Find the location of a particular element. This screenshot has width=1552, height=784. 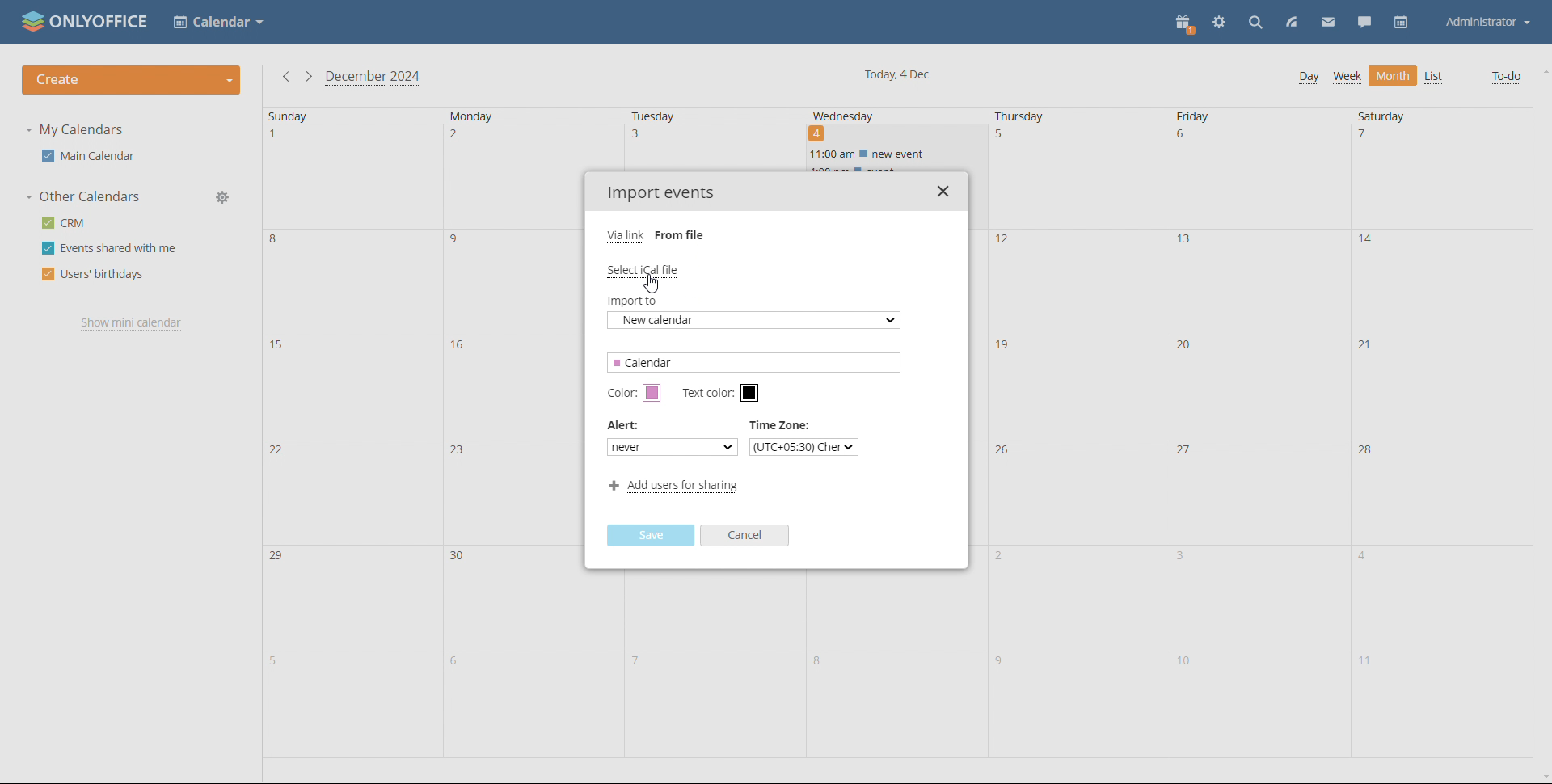

calendar name is located at coordinates (757, 362).